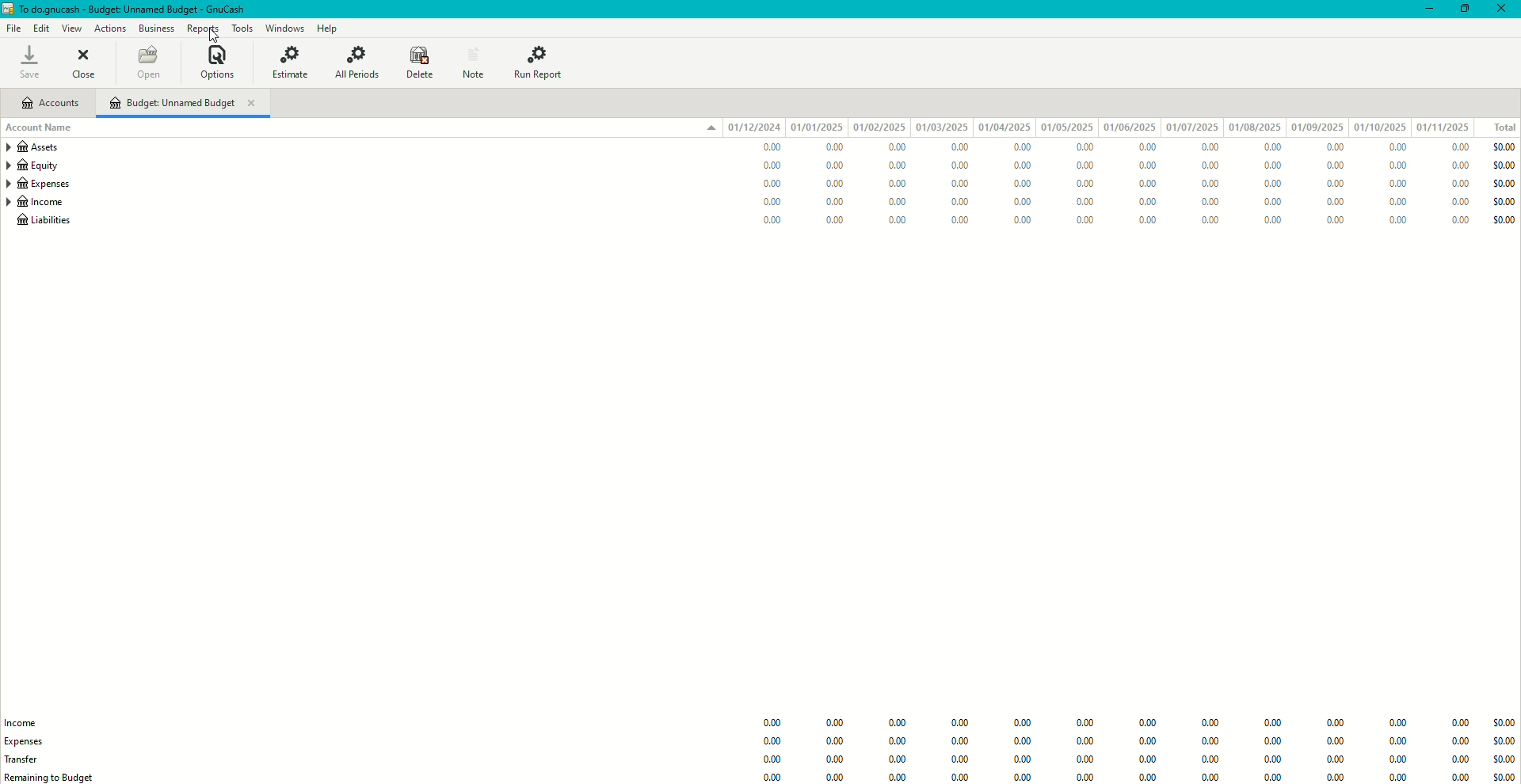  I want to click on Reports, so click(203, 29).